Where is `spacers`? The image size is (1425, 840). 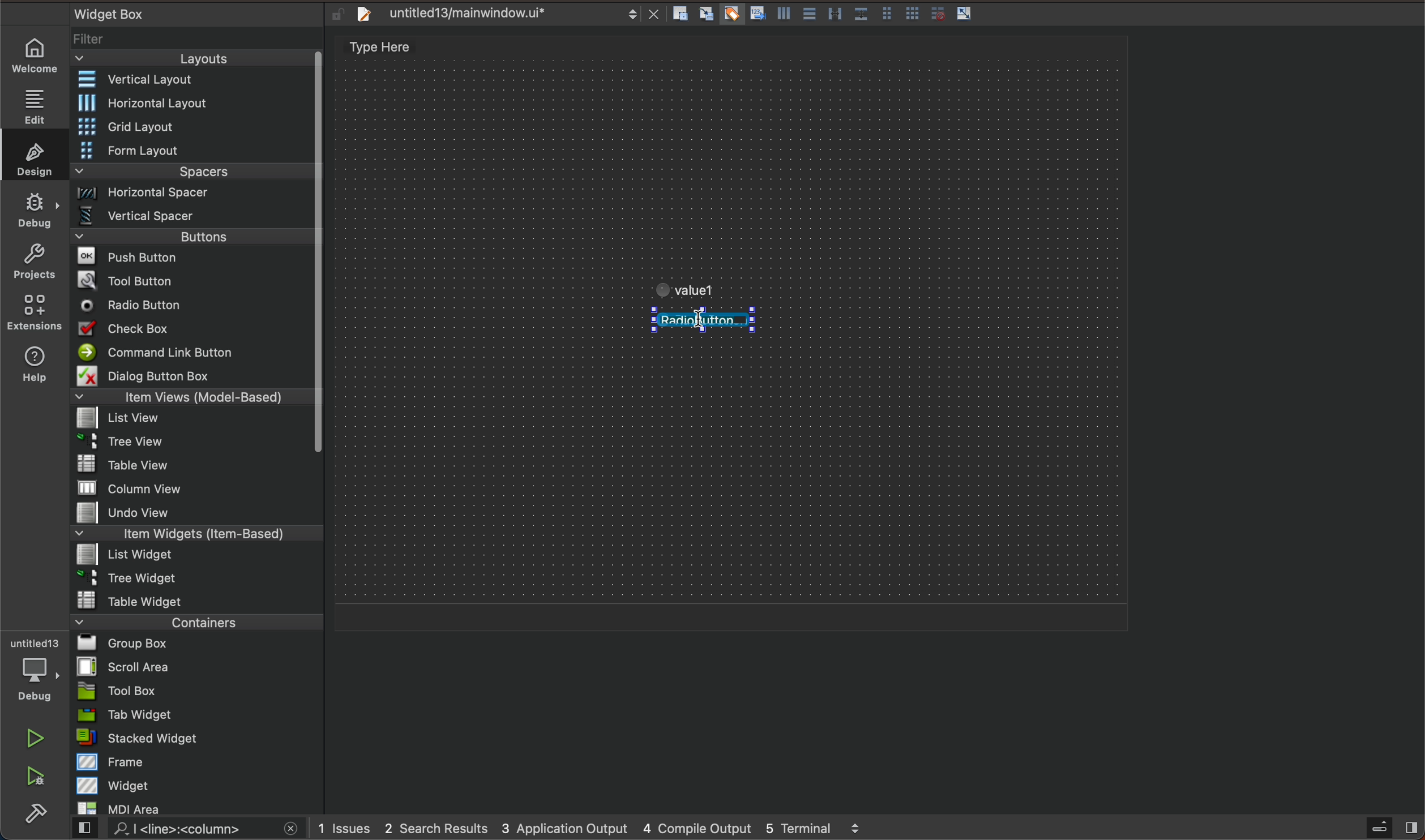 spacers is located at coordinates (194, 175).